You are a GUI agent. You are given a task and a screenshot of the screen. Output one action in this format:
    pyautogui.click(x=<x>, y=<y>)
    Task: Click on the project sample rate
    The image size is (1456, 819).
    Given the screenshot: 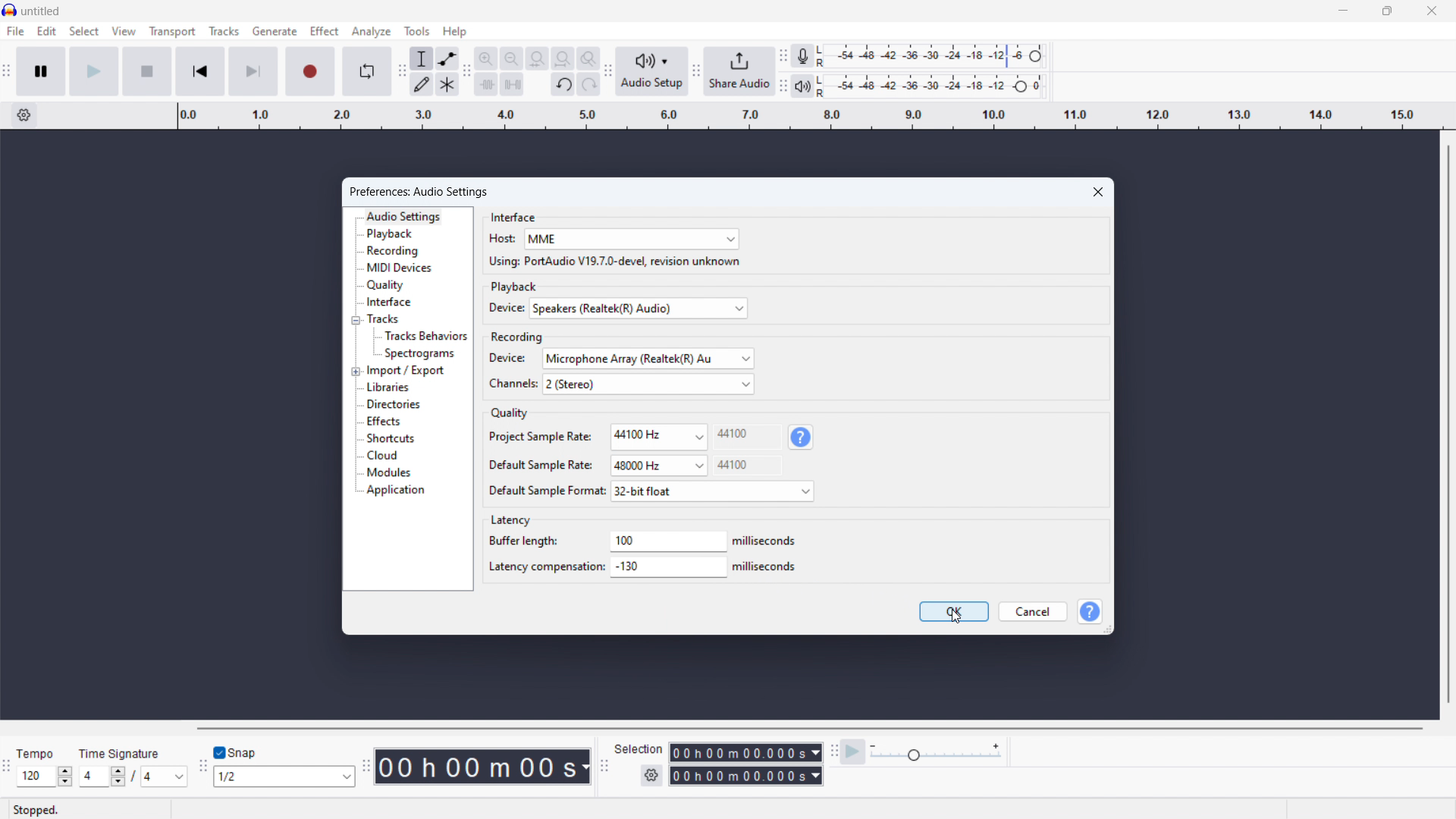 What is the action you would take?
    pyautogui.click(x=658, y=437)
    